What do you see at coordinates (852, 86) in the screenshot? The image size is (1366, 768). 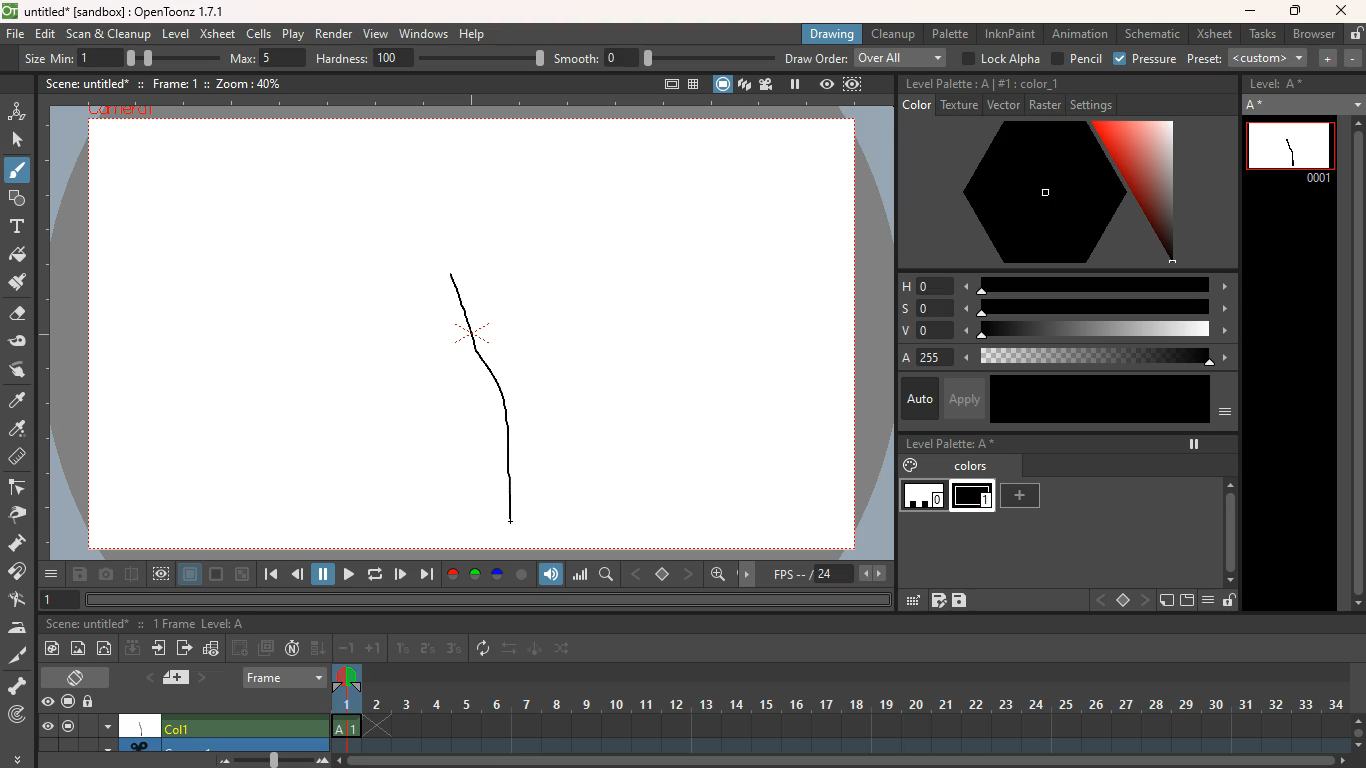 I see `frame` at bounding box center [852, 86].